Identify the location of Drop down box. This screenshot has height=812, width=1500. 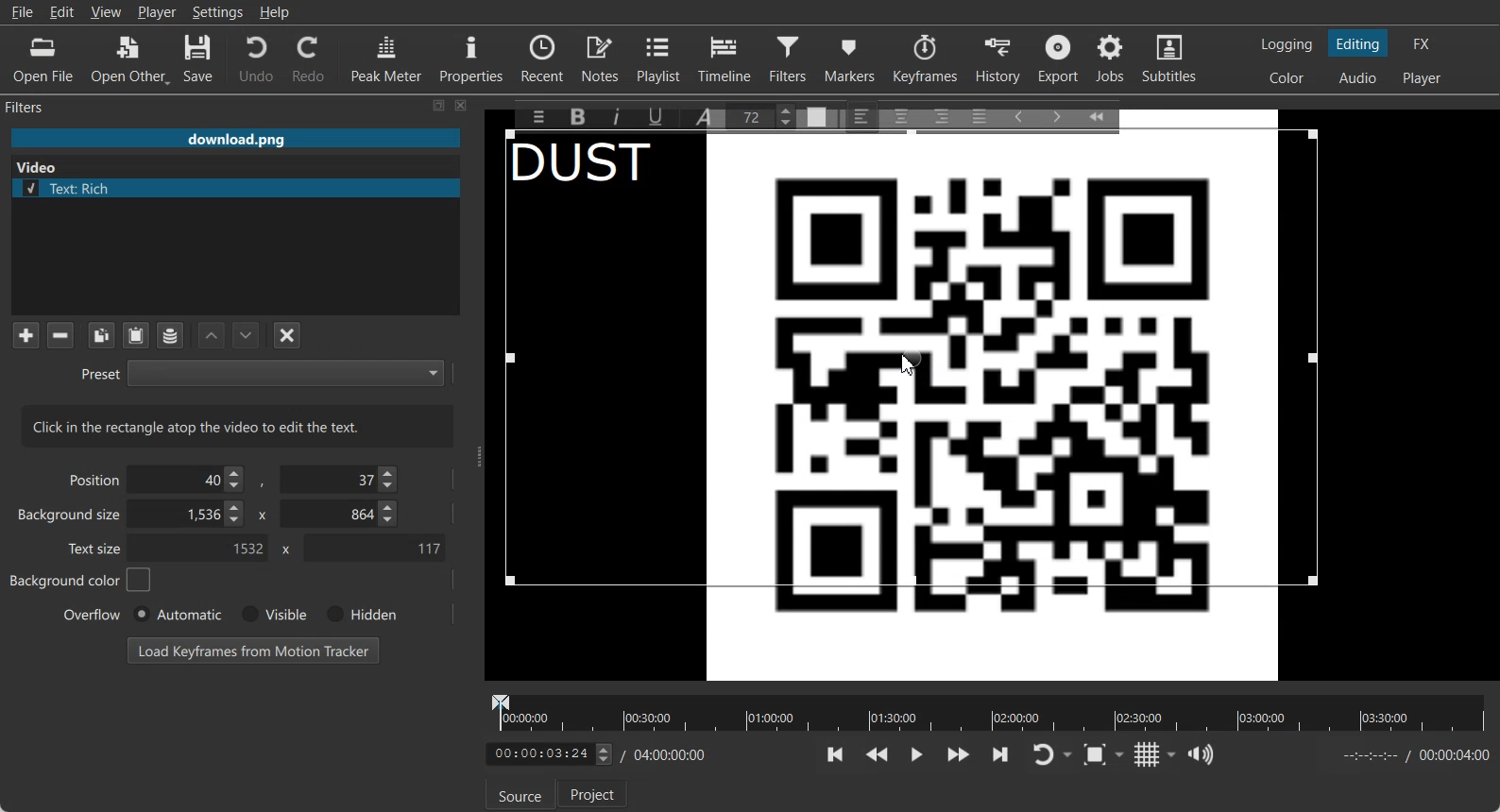
(1172, 754).